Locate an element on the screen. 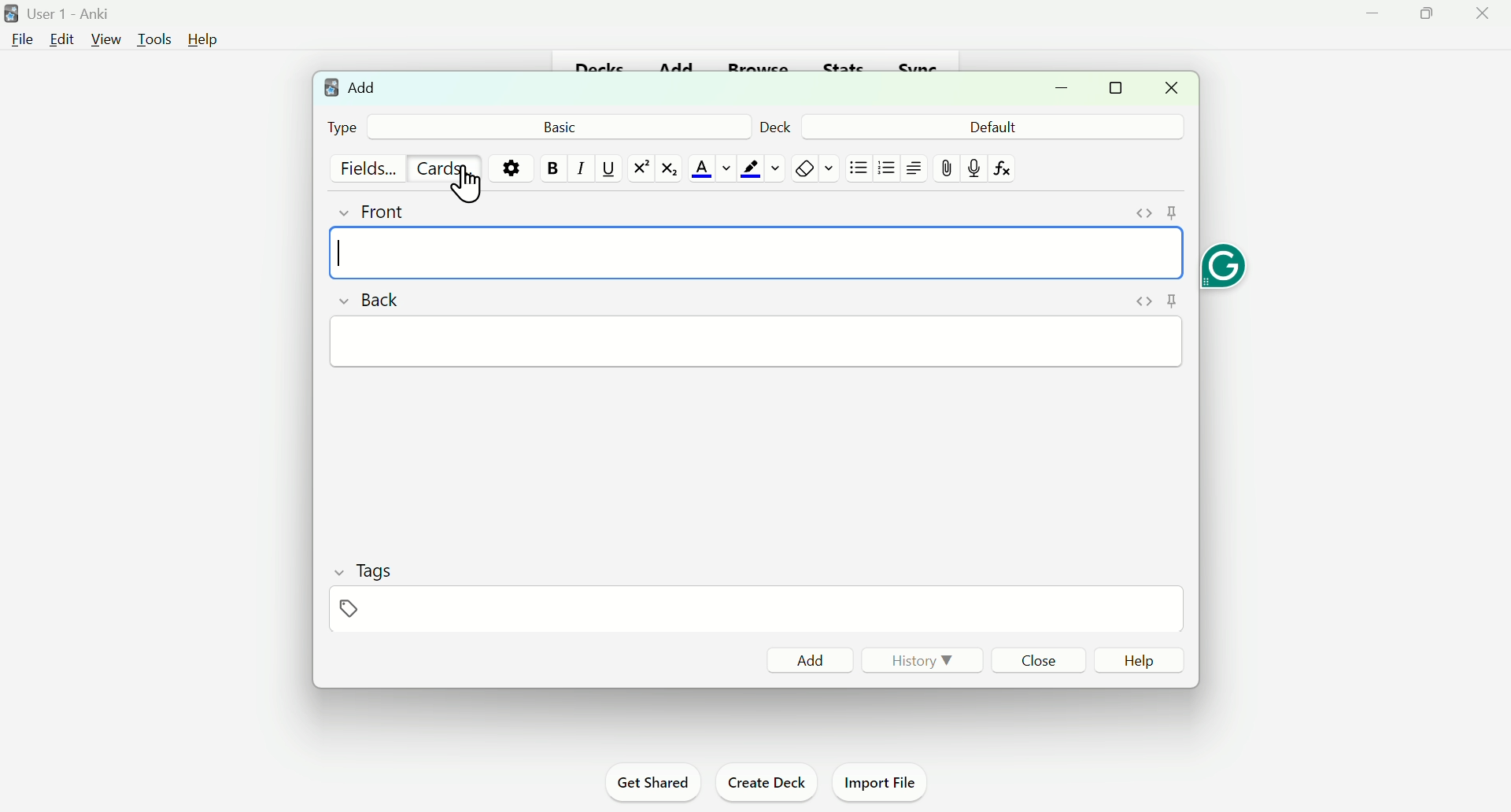 This screenshot has width=1511, height=812. Add is located at coordinates (808, 660).